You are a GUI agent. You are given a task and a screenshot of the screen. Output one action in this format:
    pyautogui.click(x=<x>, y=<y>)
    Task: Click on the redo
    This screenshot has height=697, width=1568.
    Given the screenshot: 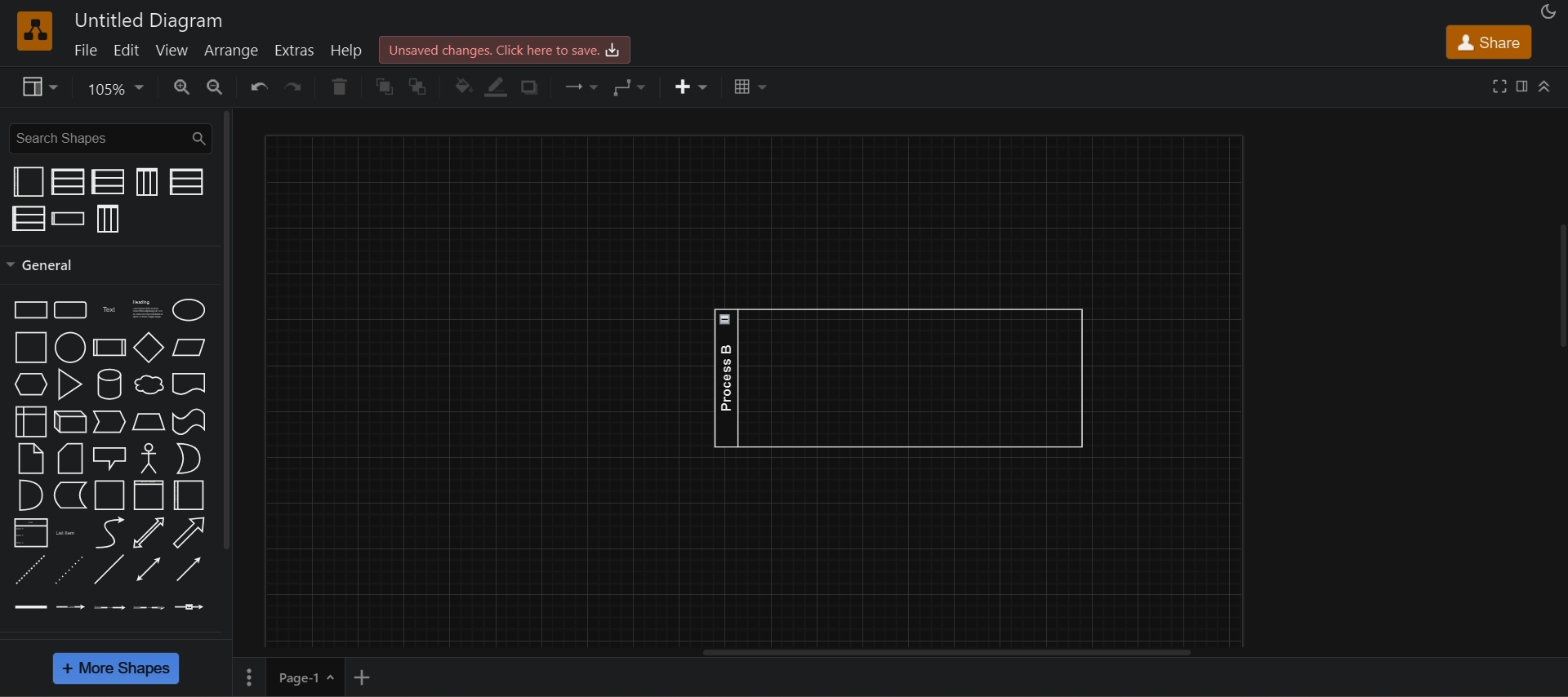 What is the action you would take?
    pyautogui.click(x=292, y=87)
    